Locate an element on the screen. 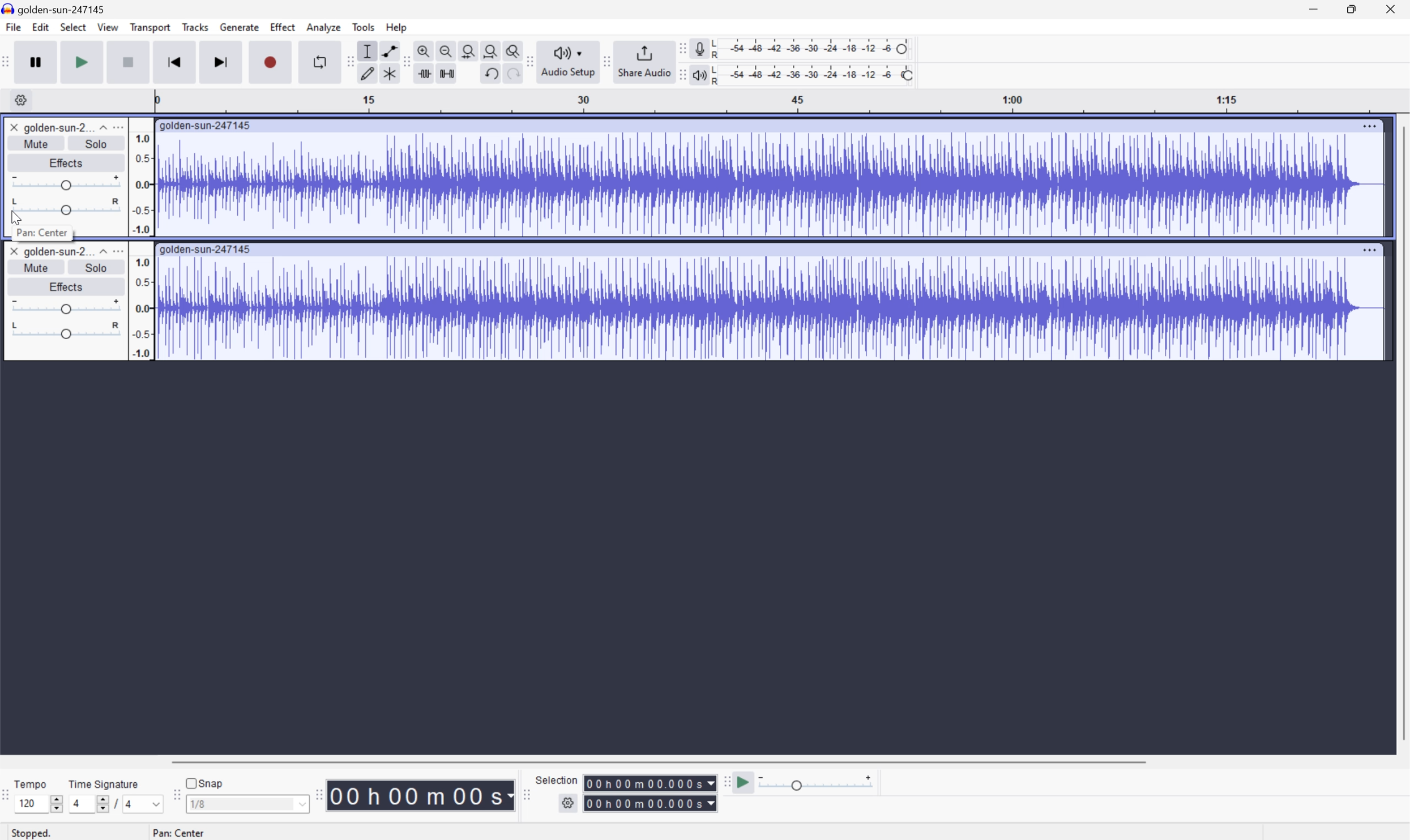 This screenshot has width=1410, height=840. Stopped is located at coordinates (29, 833).